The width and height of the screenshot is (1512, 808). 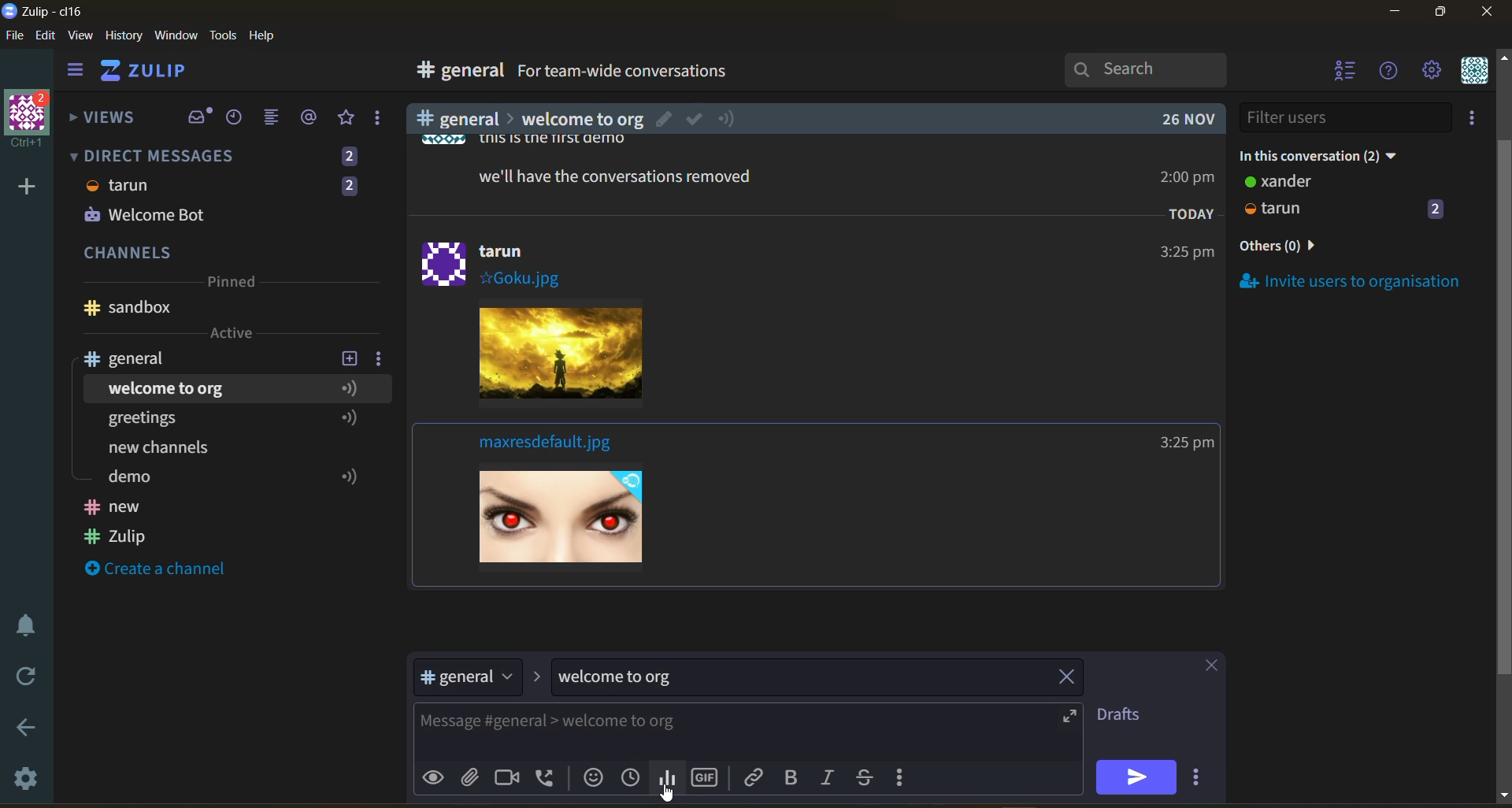 I want to click on close, so click(x=1204, y=668).